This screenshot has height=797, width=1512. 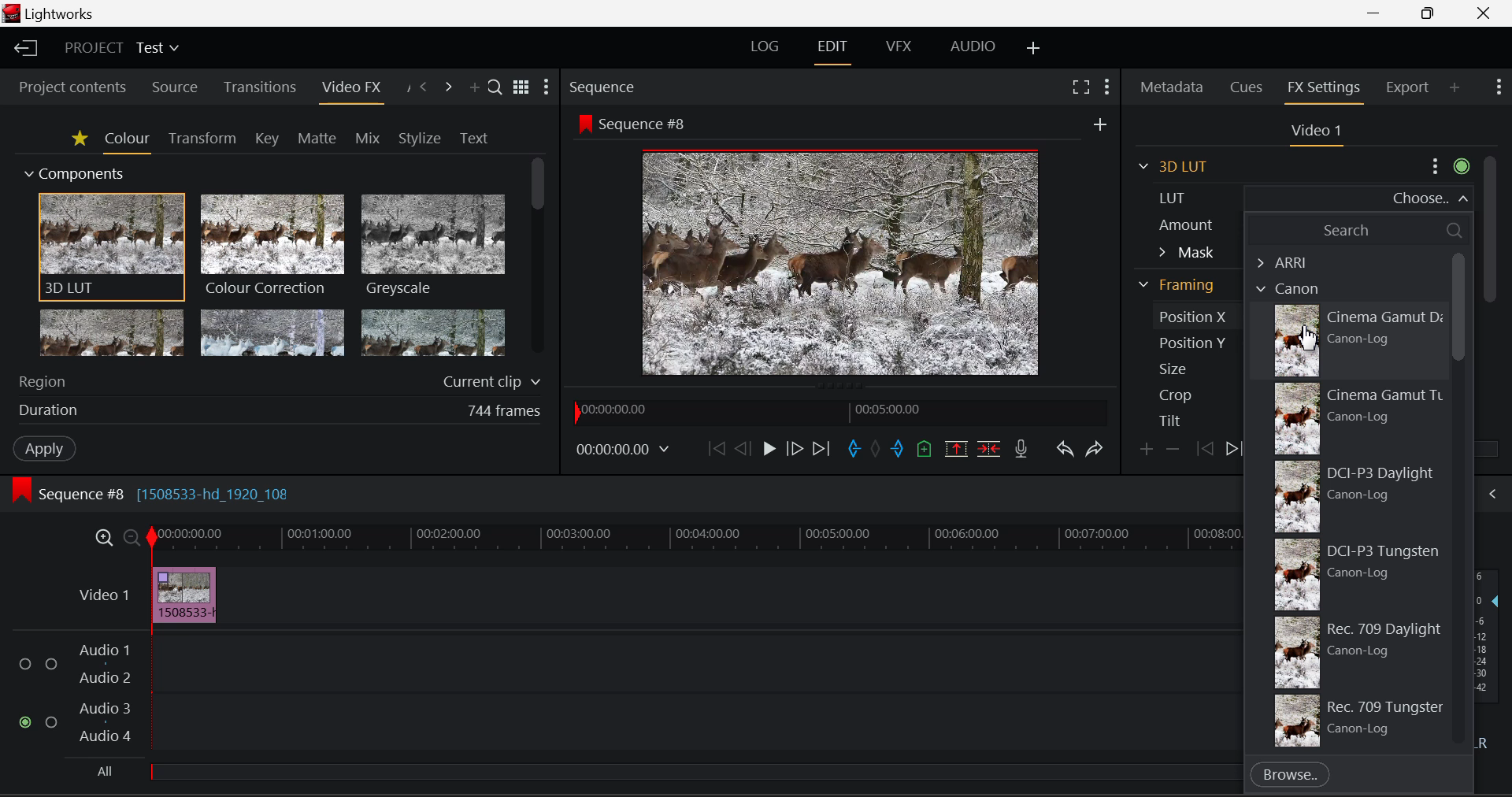 I want to click on Show Settings, so click(x=548, y=87).